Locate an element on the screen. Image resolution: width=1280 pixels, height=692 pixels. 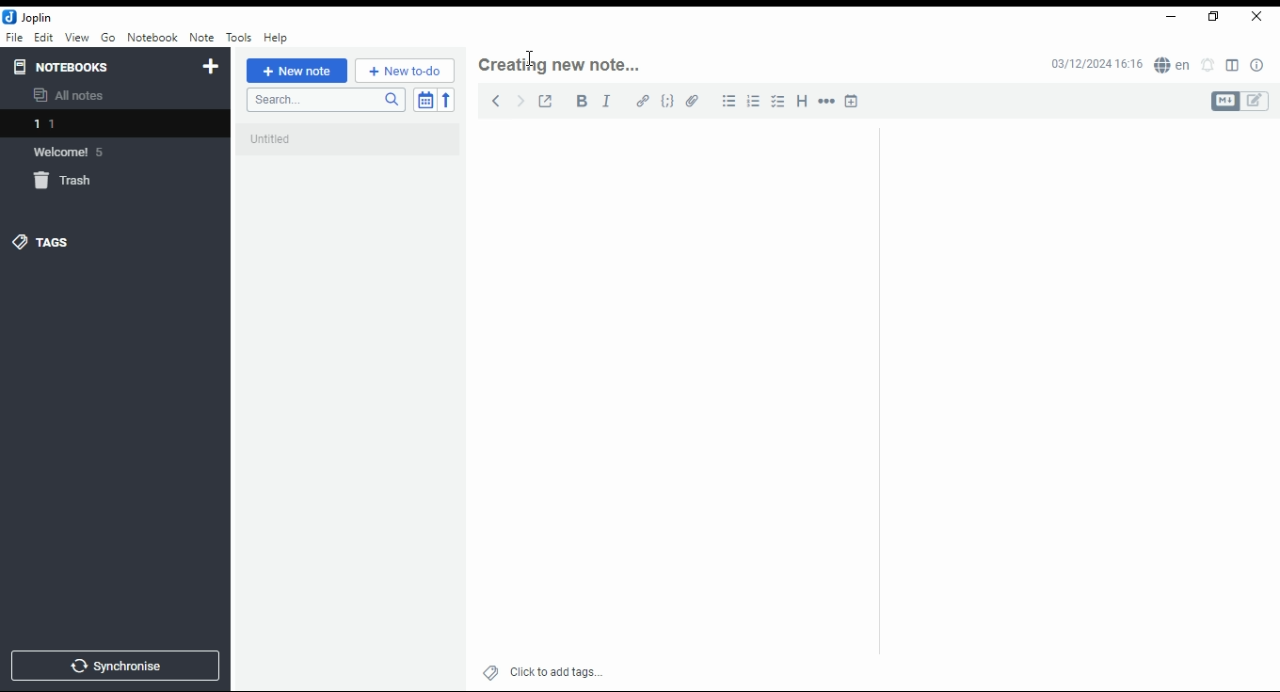
bold is located at coordinates (581, 101).